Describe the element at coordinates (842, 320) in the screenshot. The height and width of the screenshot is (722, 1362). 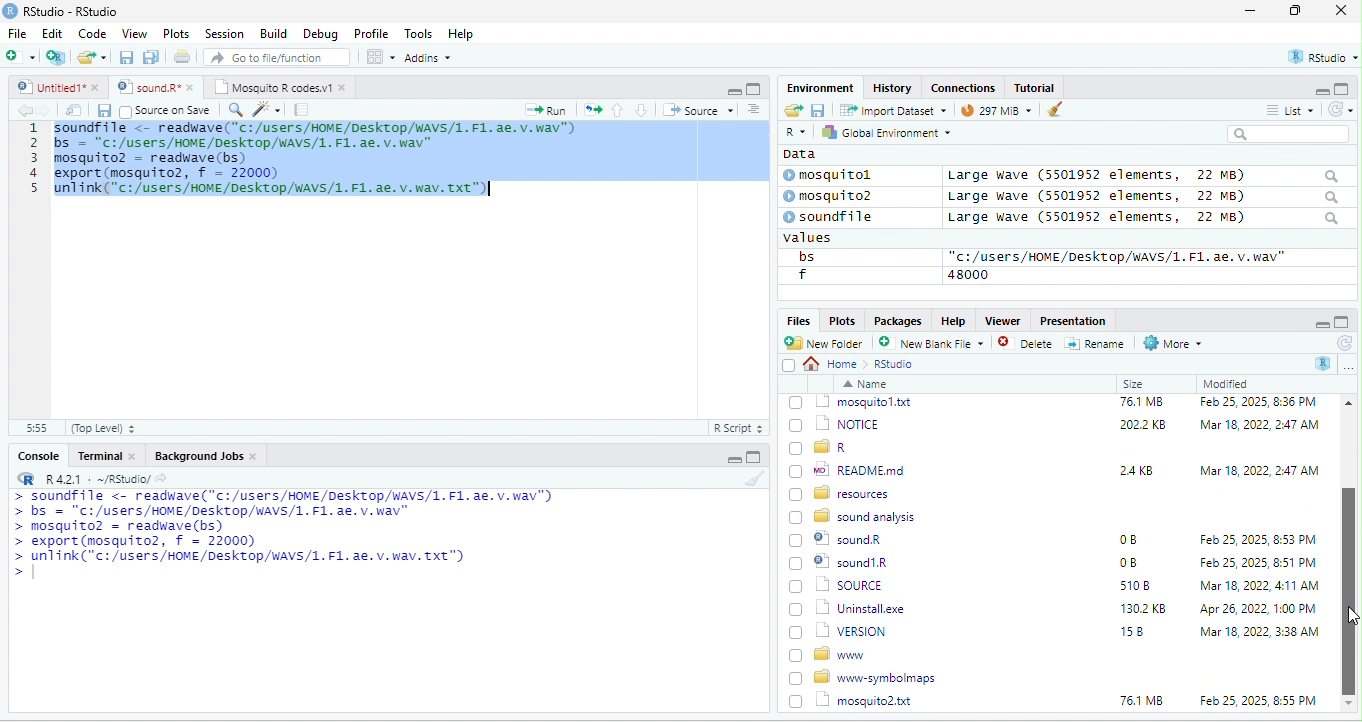
I see `Plots` at that location.